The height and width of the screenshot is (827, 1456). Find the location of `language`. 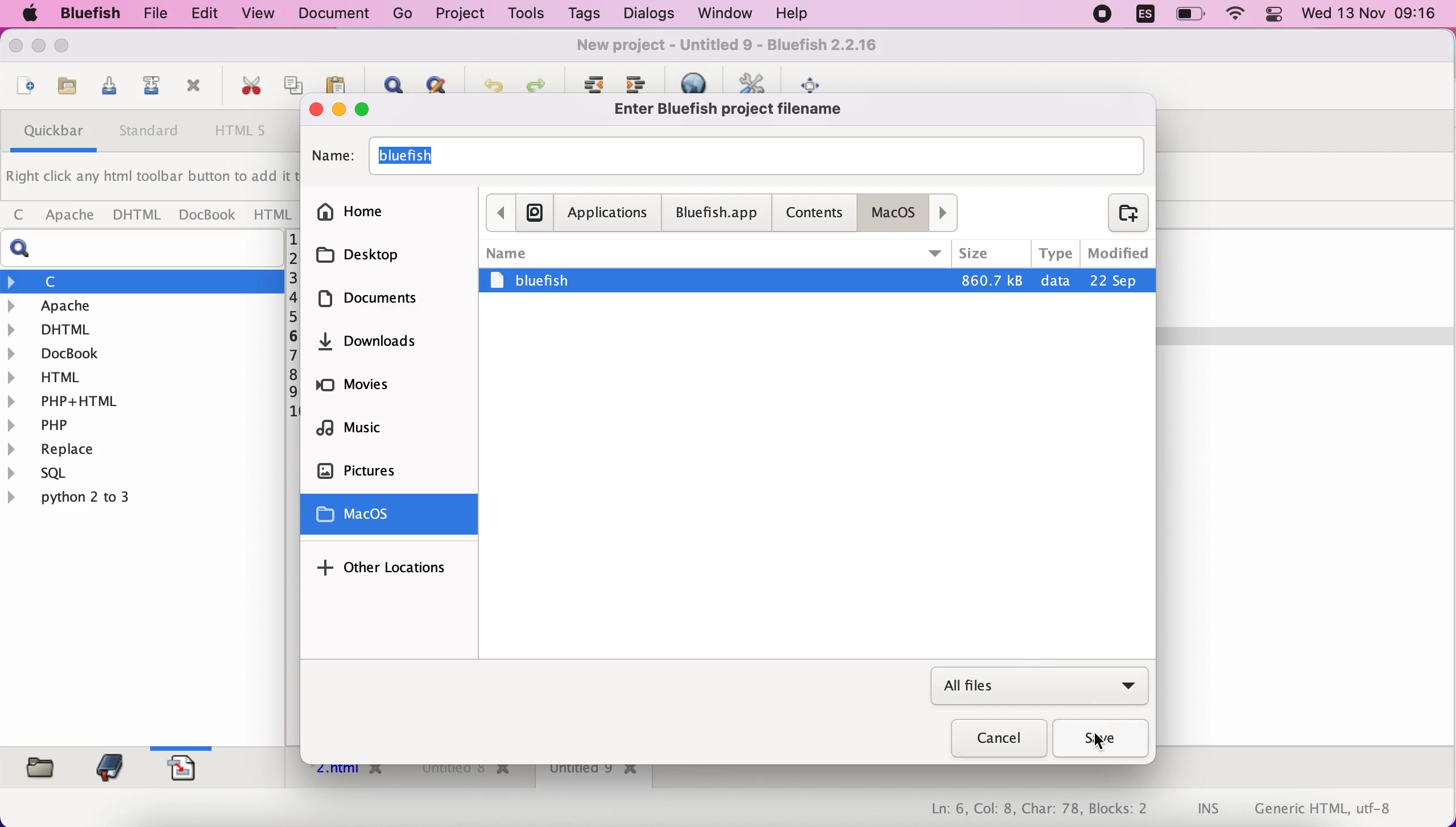

language is located at coordinates (1139, 16).